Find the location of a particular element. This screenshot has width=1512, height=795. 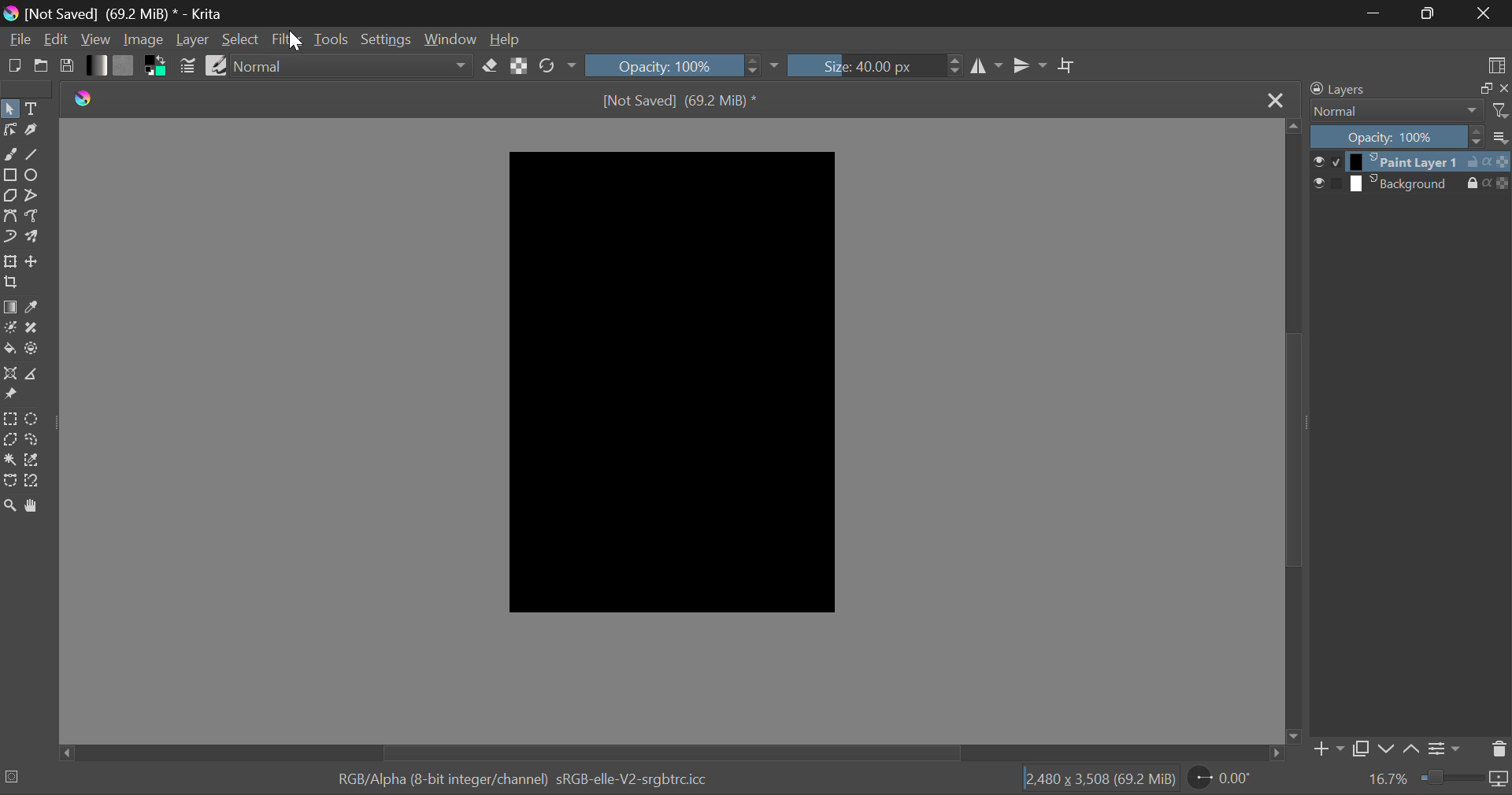

rgb/alpha (8-bit integer/channel) srgb-elle-v2-srgbtrc.icc is located at coordinates (531, 782).